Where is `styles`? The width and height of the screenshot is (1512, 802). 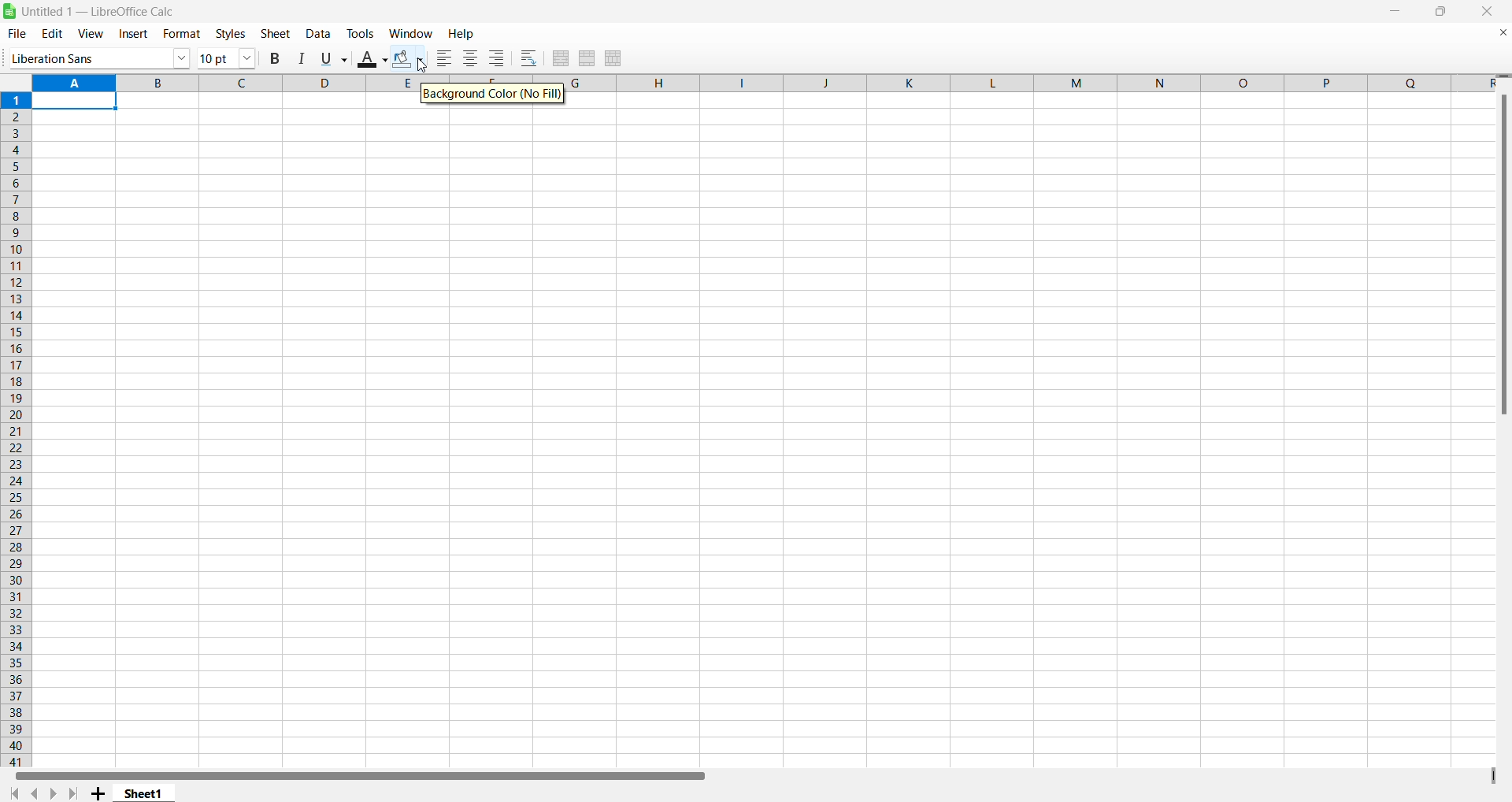
styles is located at coordinates (229, 33).